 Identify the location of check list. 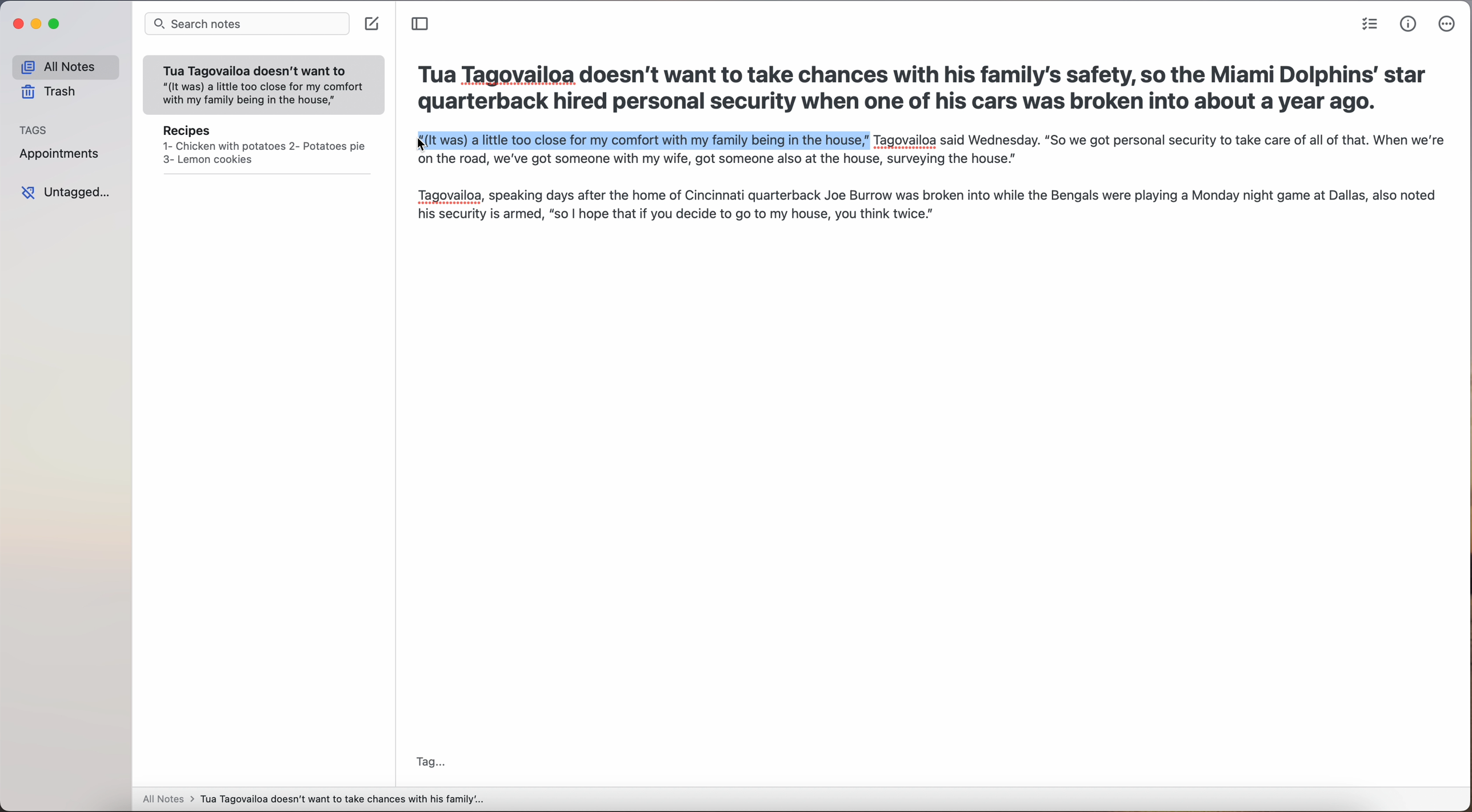
(1370, 24).